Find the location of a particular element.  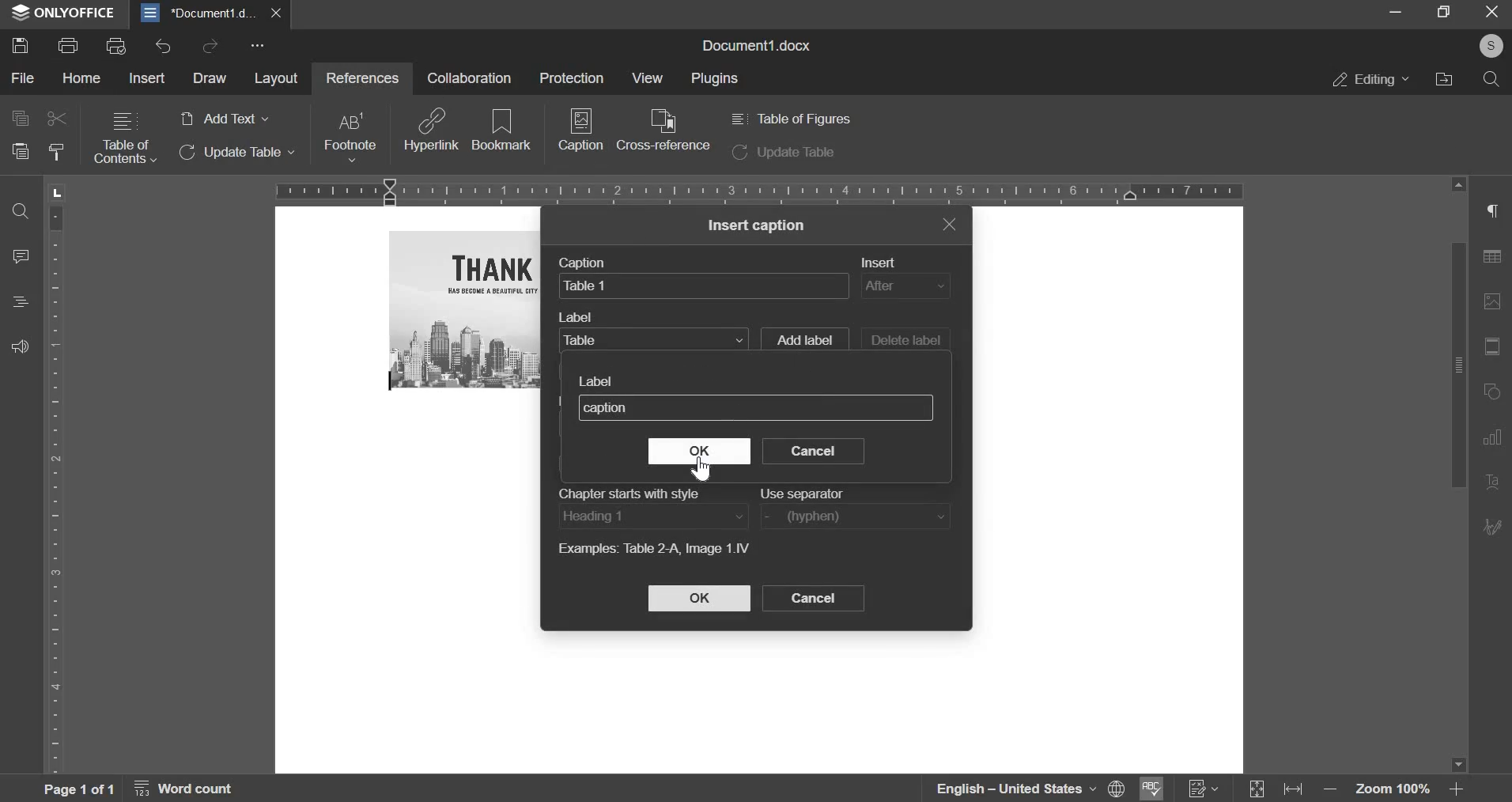

insert caption is located at coordinates (758, 225).